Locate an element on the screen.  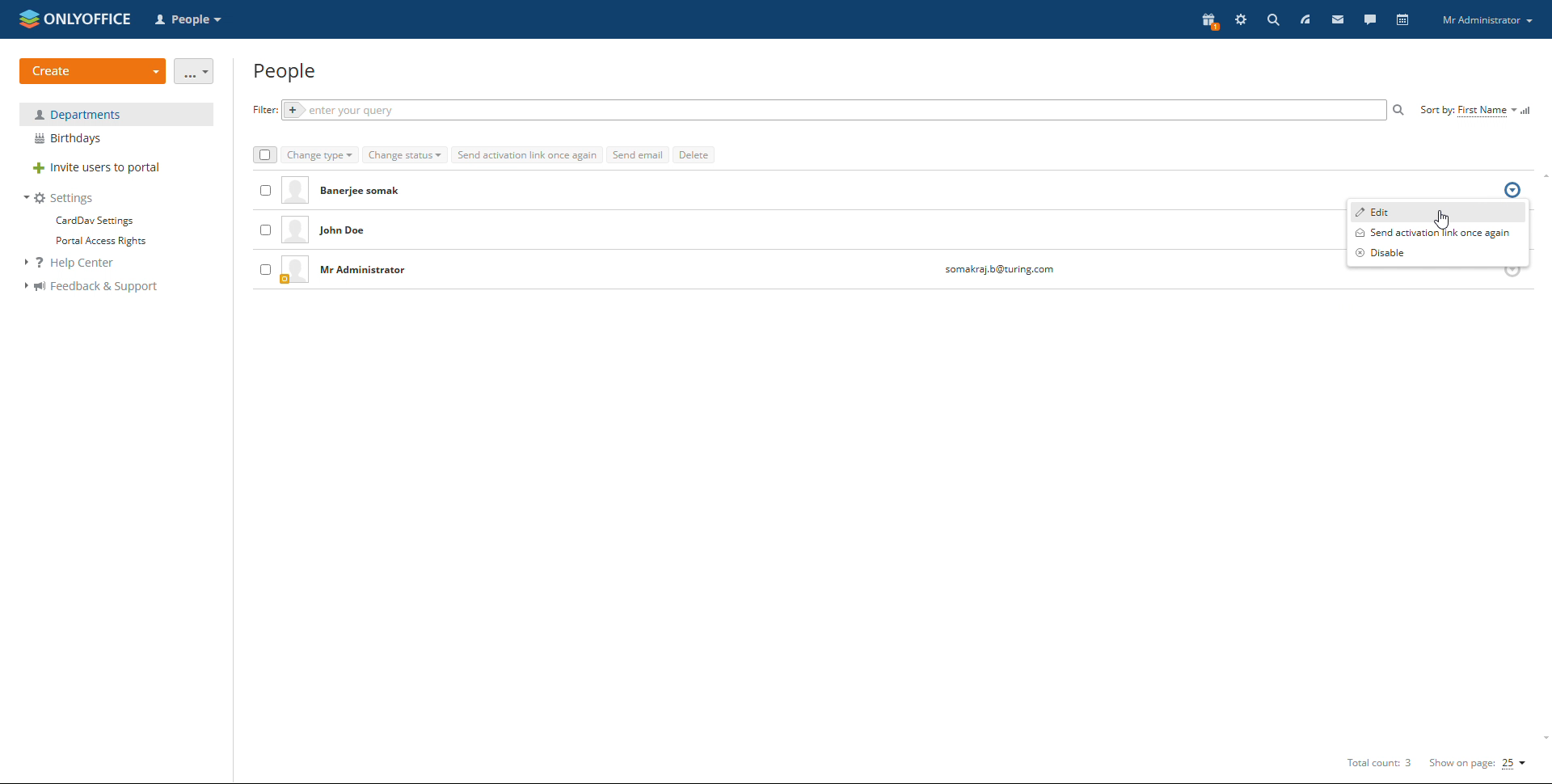
select application is located at coordinates (191, 20).